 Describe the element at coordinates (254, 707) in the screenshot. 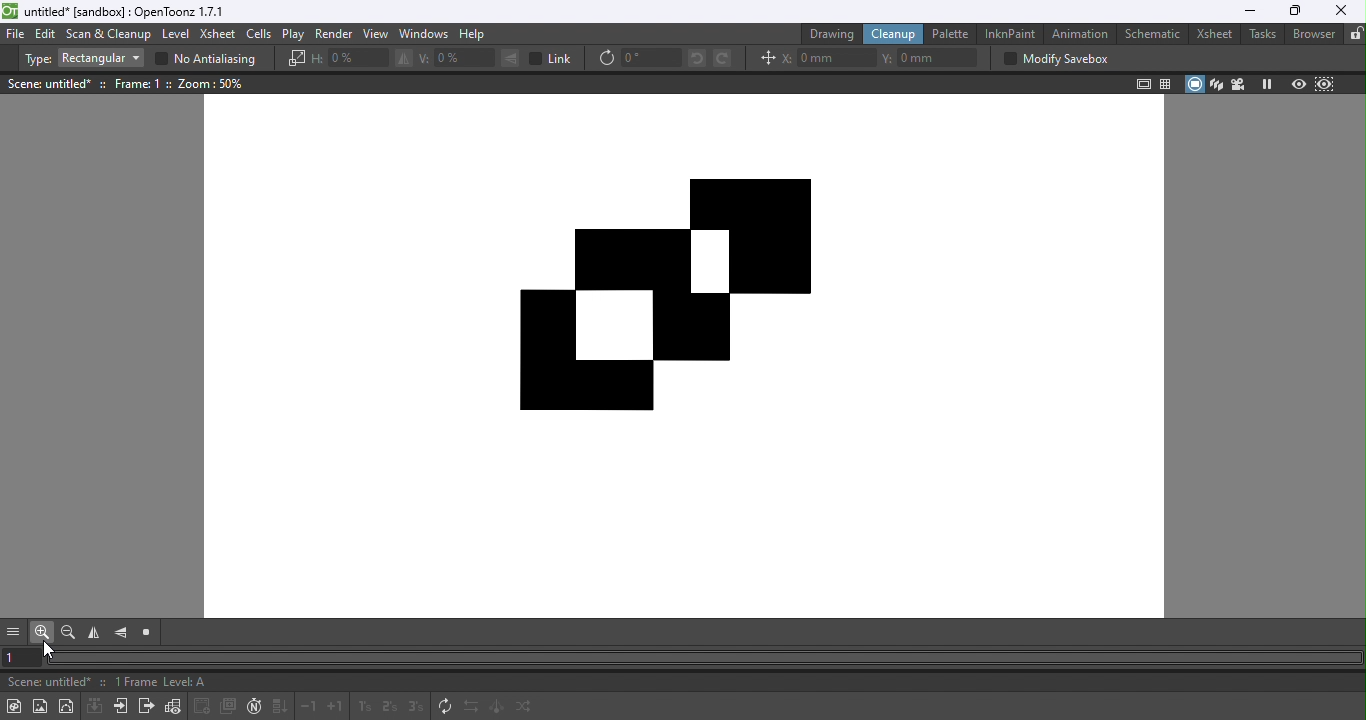

I see `Auto Input cell number` at that location.